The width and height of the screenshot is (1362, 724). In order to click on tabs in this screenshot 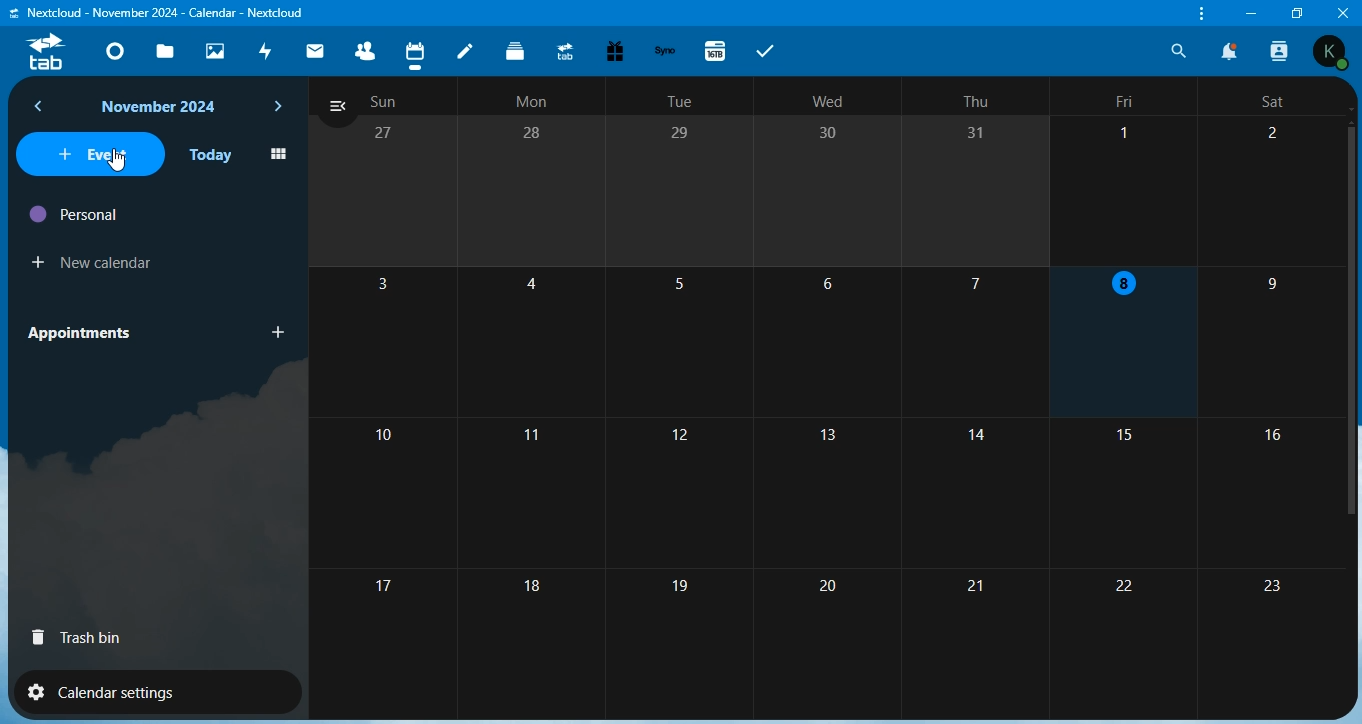, I will do `click(767, 50)`.